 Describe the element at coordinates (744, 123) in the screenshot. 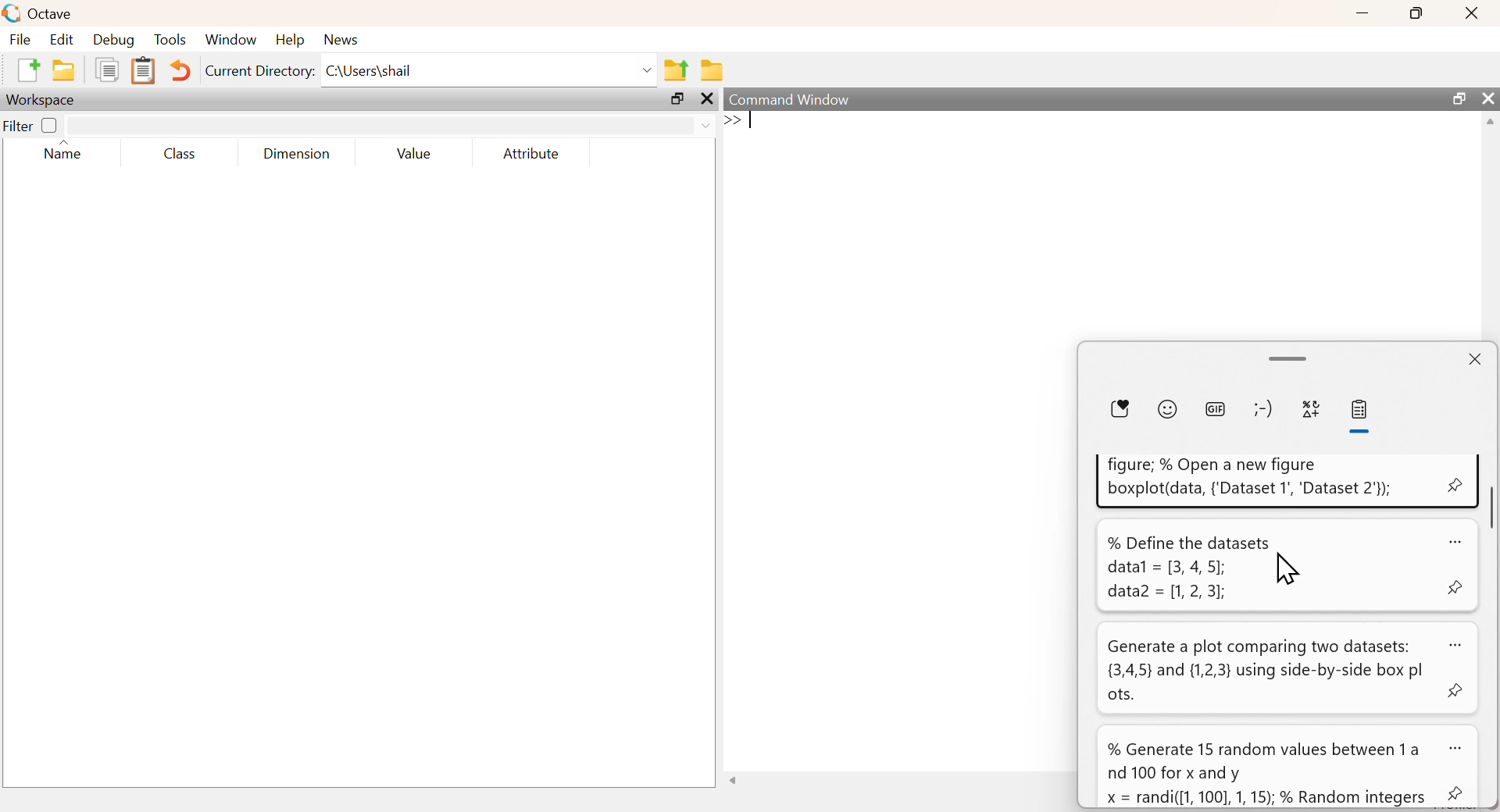

I see `typing cursor` at that location.